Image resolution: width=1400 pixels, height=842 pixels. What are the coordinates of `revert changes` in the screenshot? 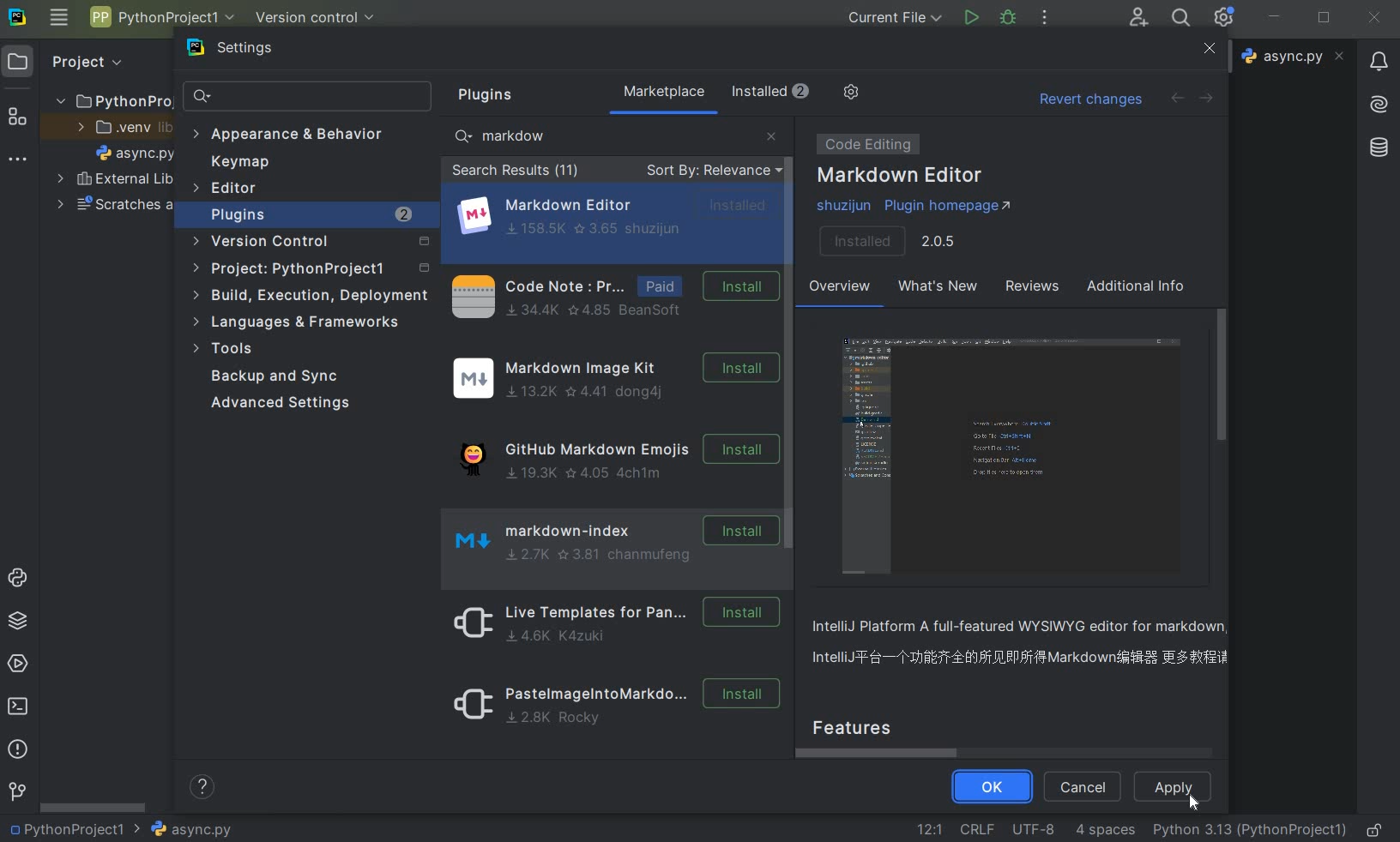 It's located at (1089, 101).